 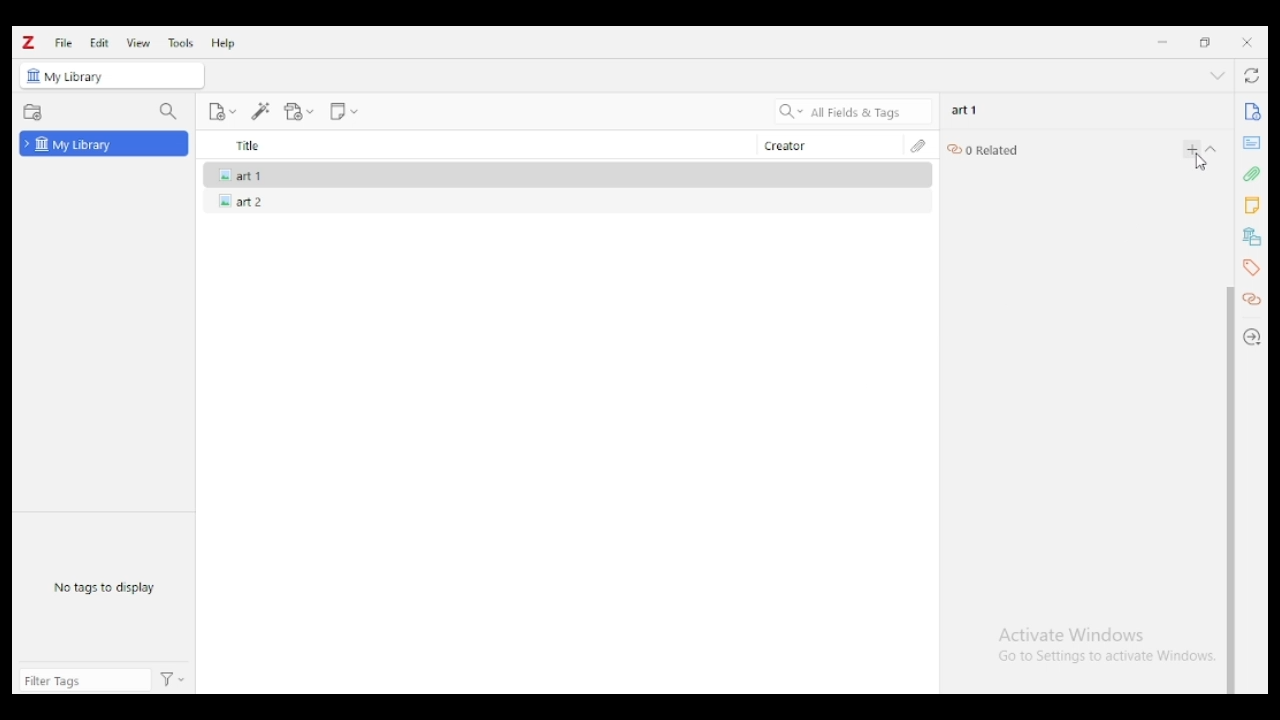 What do you see at coordinates (173, 681) in the screenshot?
I see `actions` at bounding box center [173, 681].